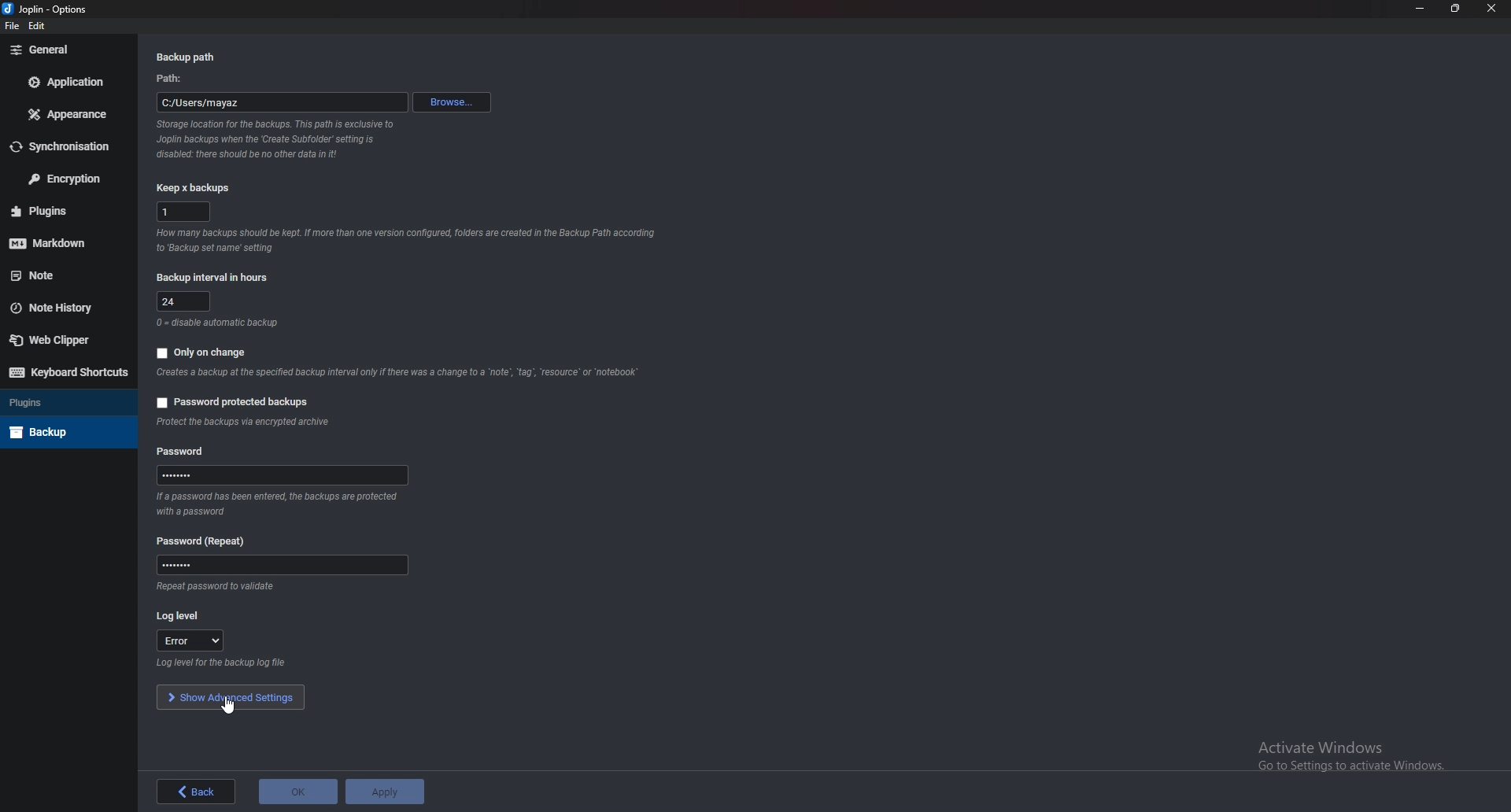 Image resolution: width=1511 pixels, height=812 pixels. I want to click on edit, so click(38, 27).